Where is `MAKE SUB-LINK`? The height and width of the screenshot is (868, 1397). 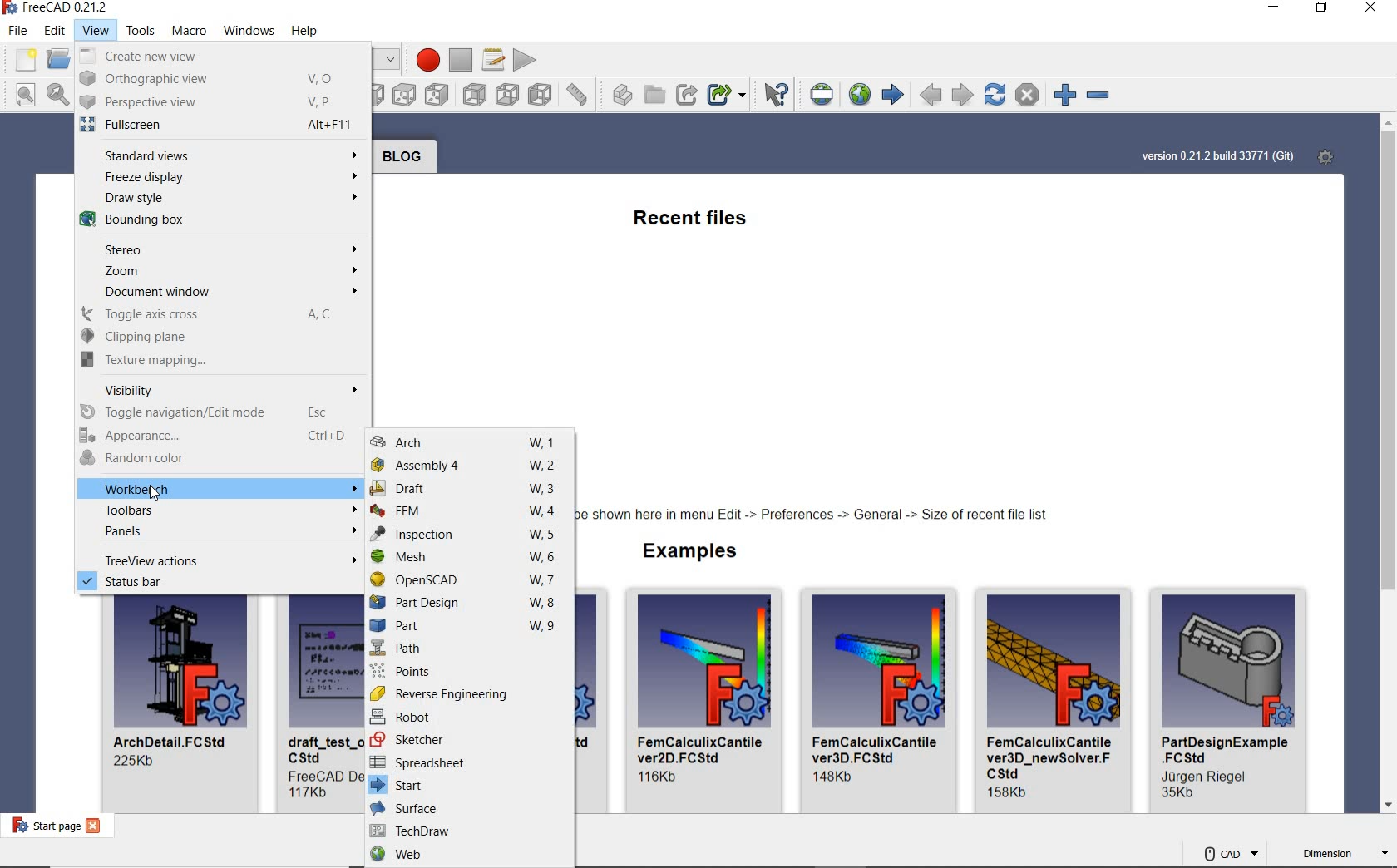 MAKE SUB-LINK is located at coordinates (729, 94).